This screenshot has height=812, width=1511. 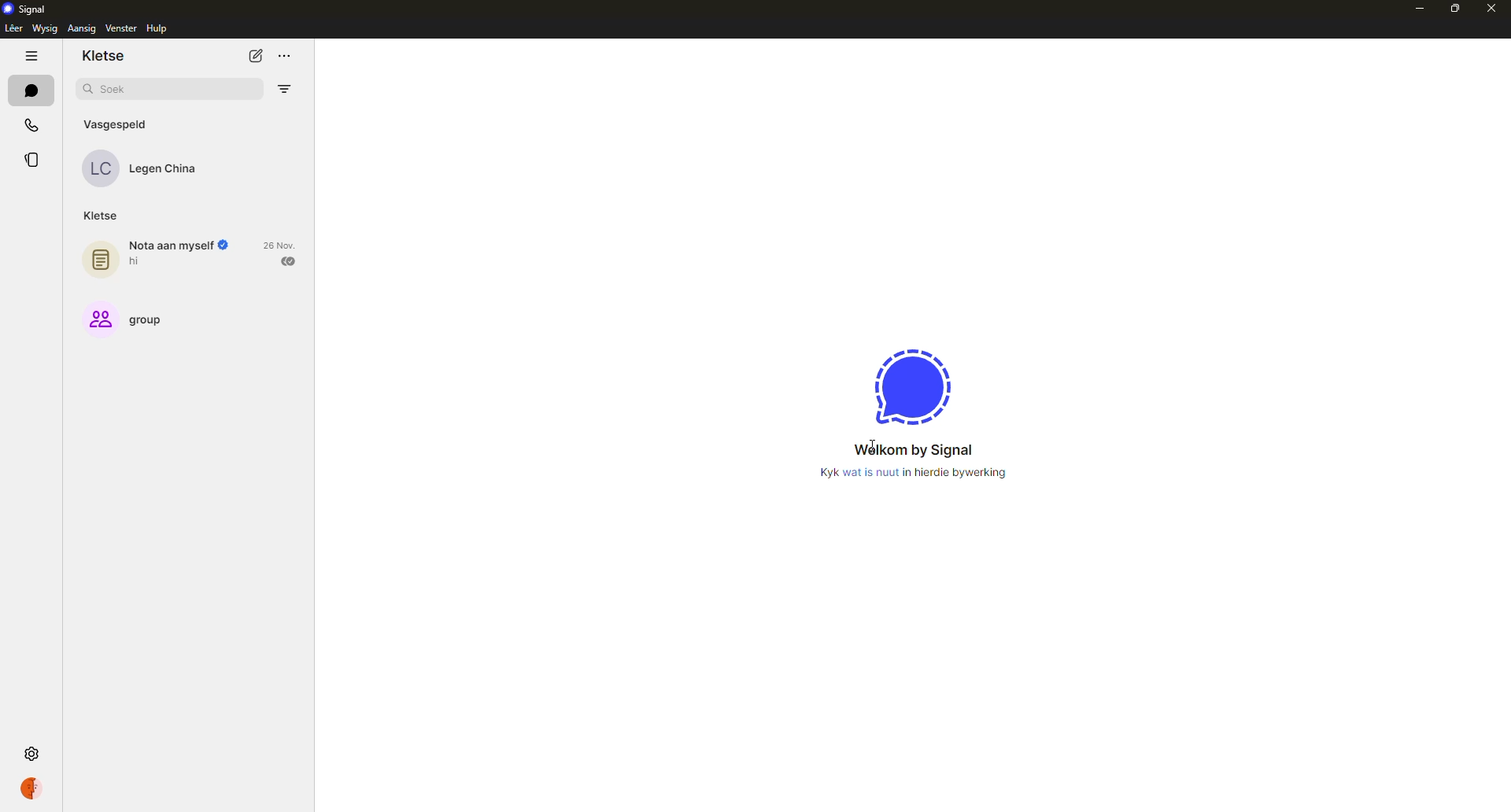 I want to click on aansig, so click(x=81, y=29).